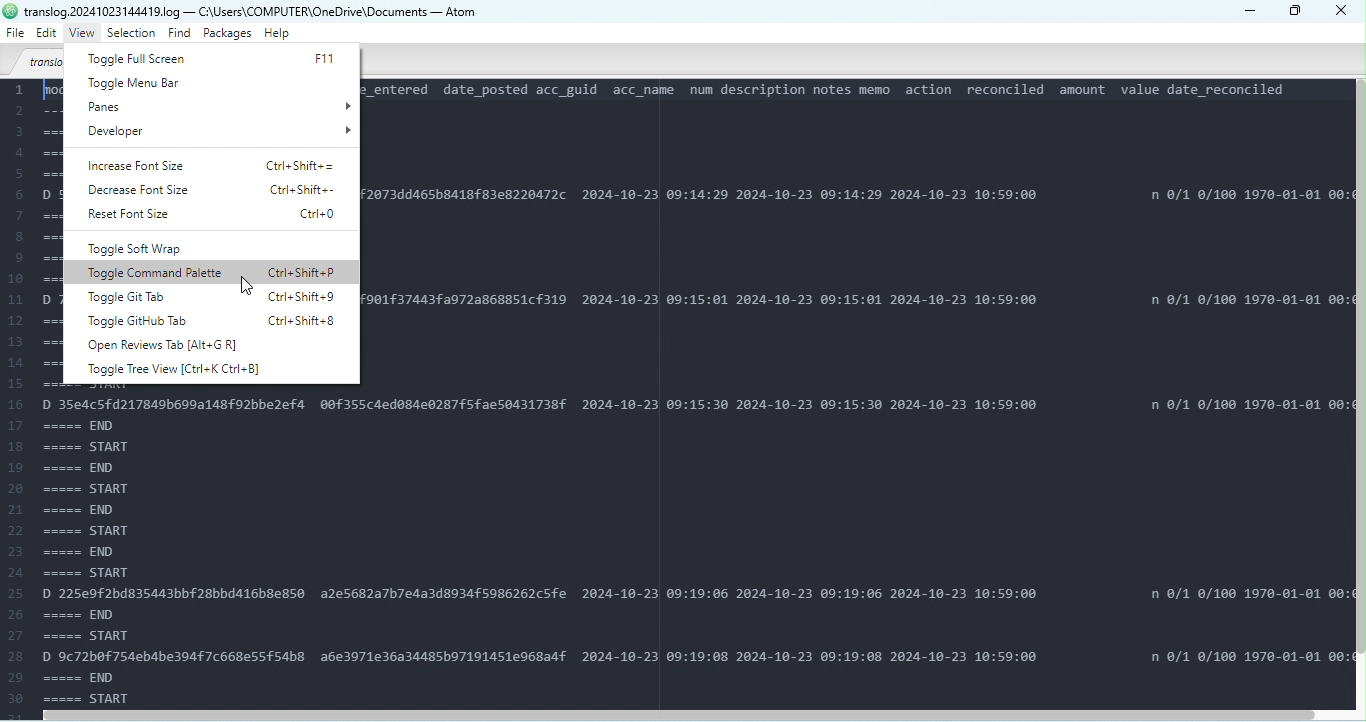  Describe the element at coordinates (214, 85) in the screenshot. I see `Toggle menu bar` at that location.